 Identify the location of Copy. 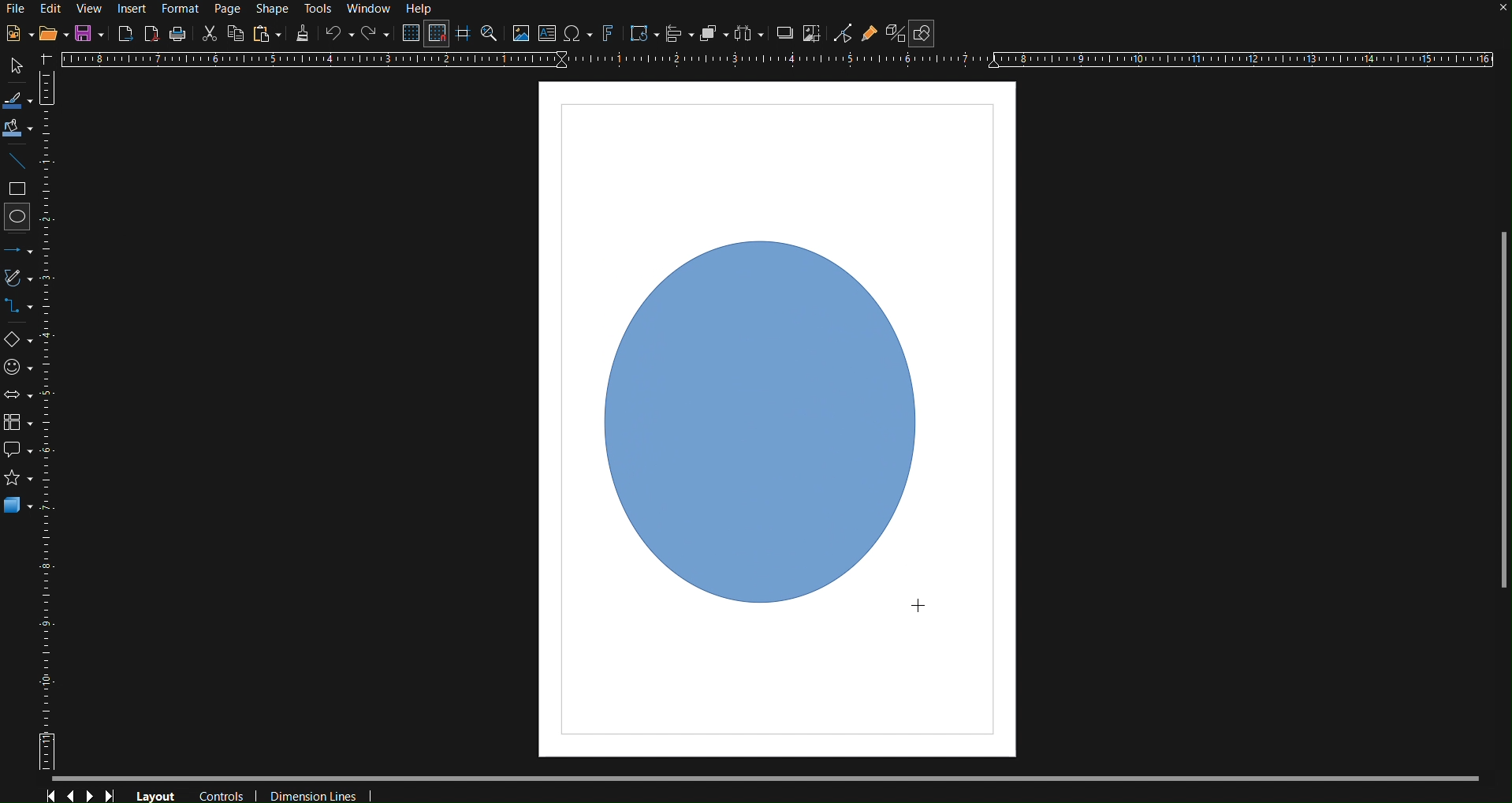
(236, 33).